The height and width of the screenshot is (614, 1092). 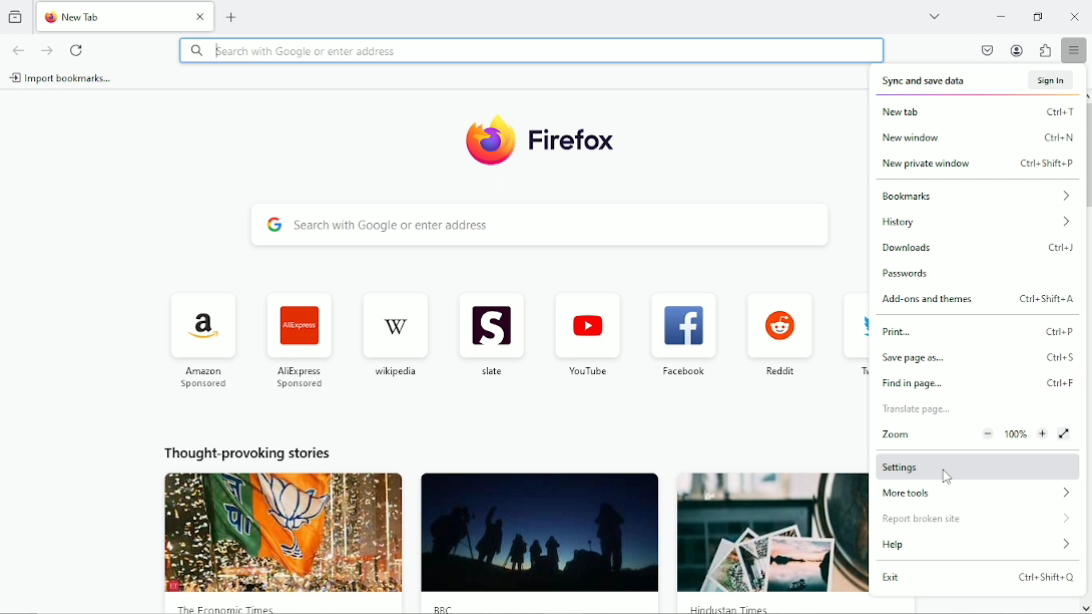 What do you see at coordinates (533, 226) in the screenshot?
I see `search with Google or enter address` at bounding box center [533, 226].